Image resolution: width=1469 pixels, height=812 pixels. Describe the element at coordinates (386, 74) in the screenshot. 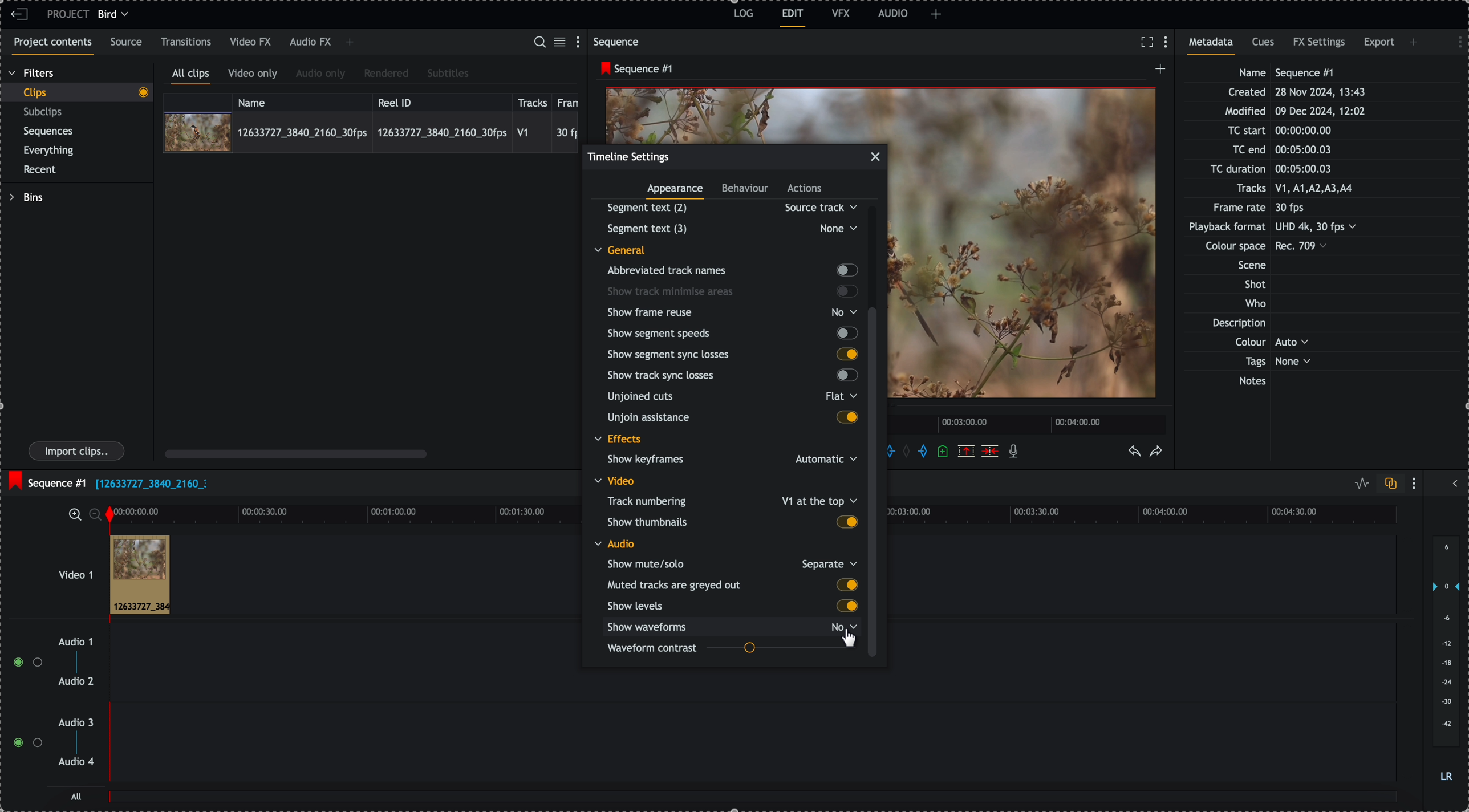

I see `rendered` at that location.